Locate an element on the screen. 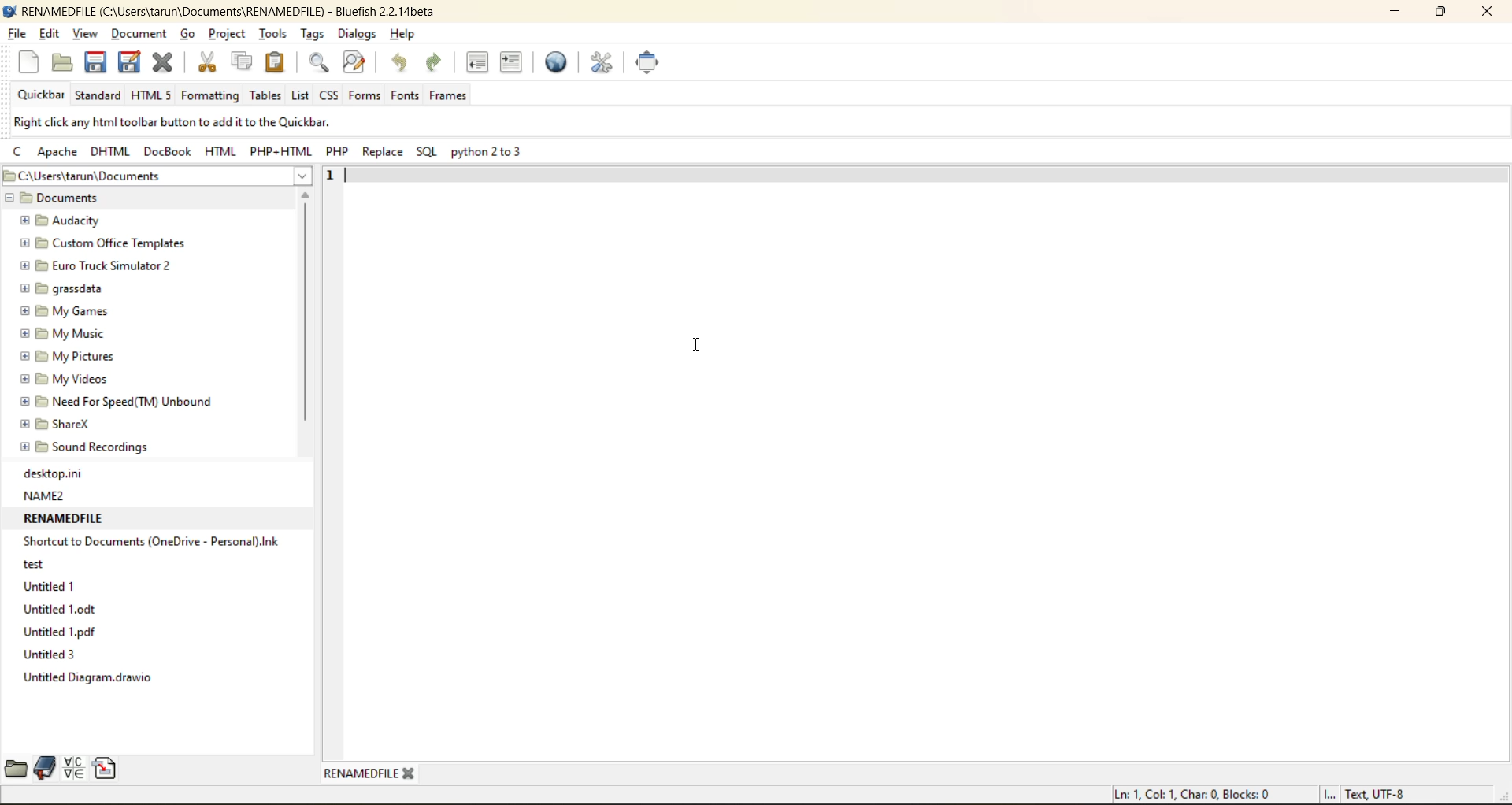 This screenshot has height=805, width=1512. fonts is located at coordinates (404, 95).